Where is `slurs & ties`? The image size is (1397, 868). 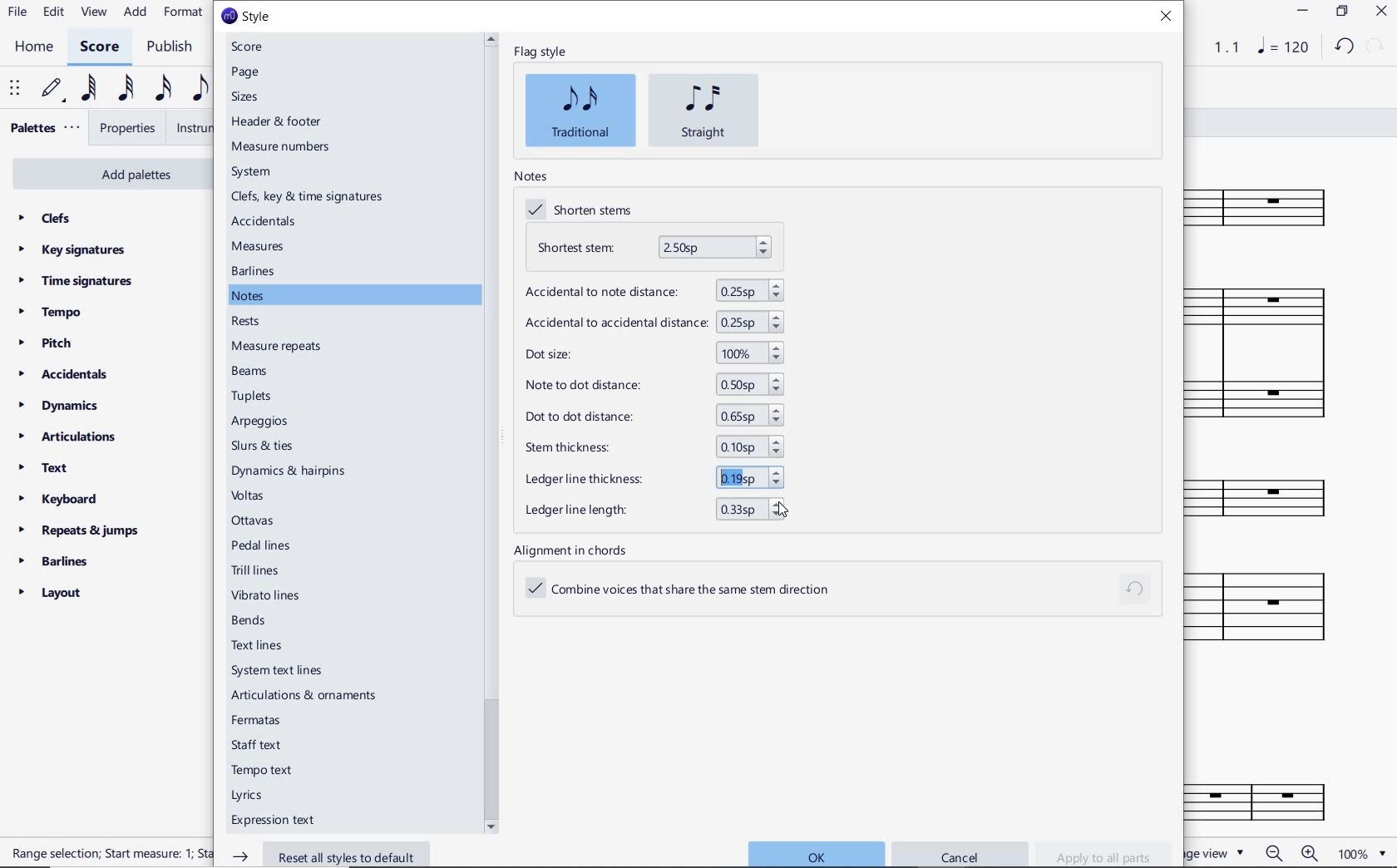 slurs & ties is located at coordinates (290, 444).